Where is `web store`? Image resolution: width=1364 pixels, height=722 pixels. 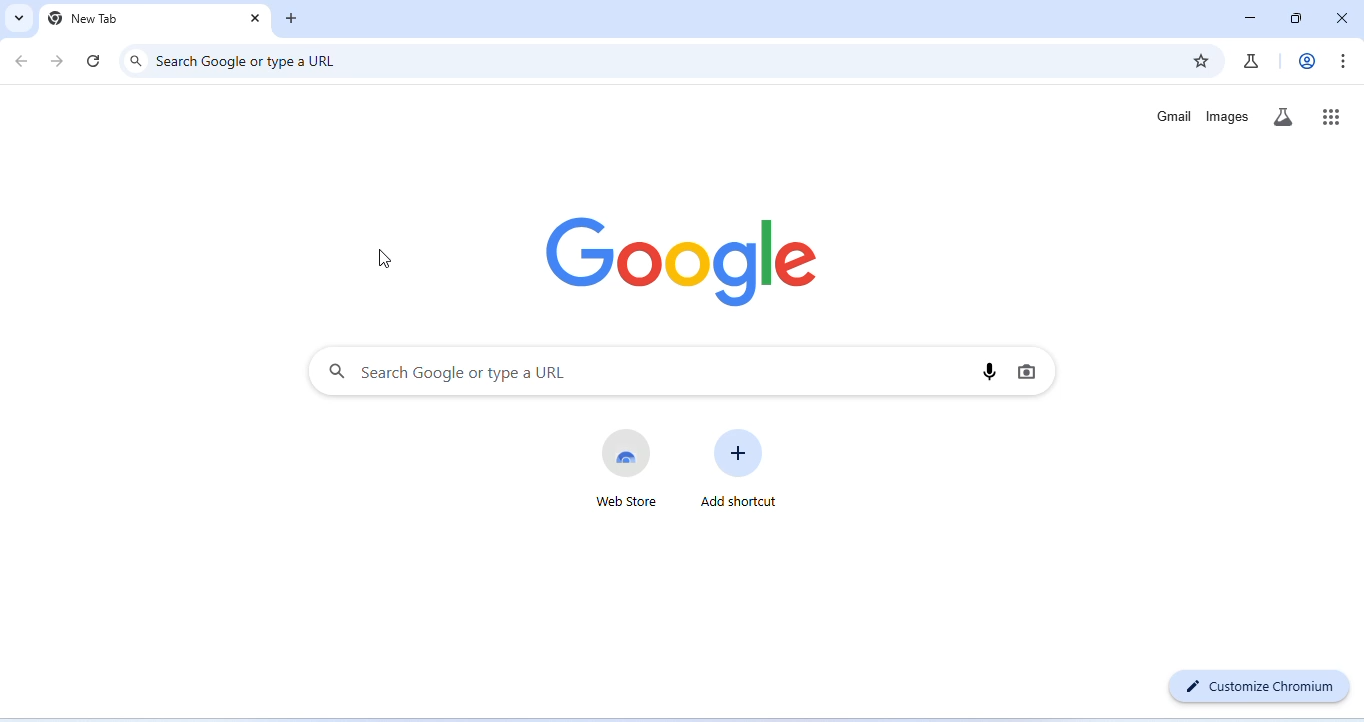
web store is located at coordinates (627, 467).